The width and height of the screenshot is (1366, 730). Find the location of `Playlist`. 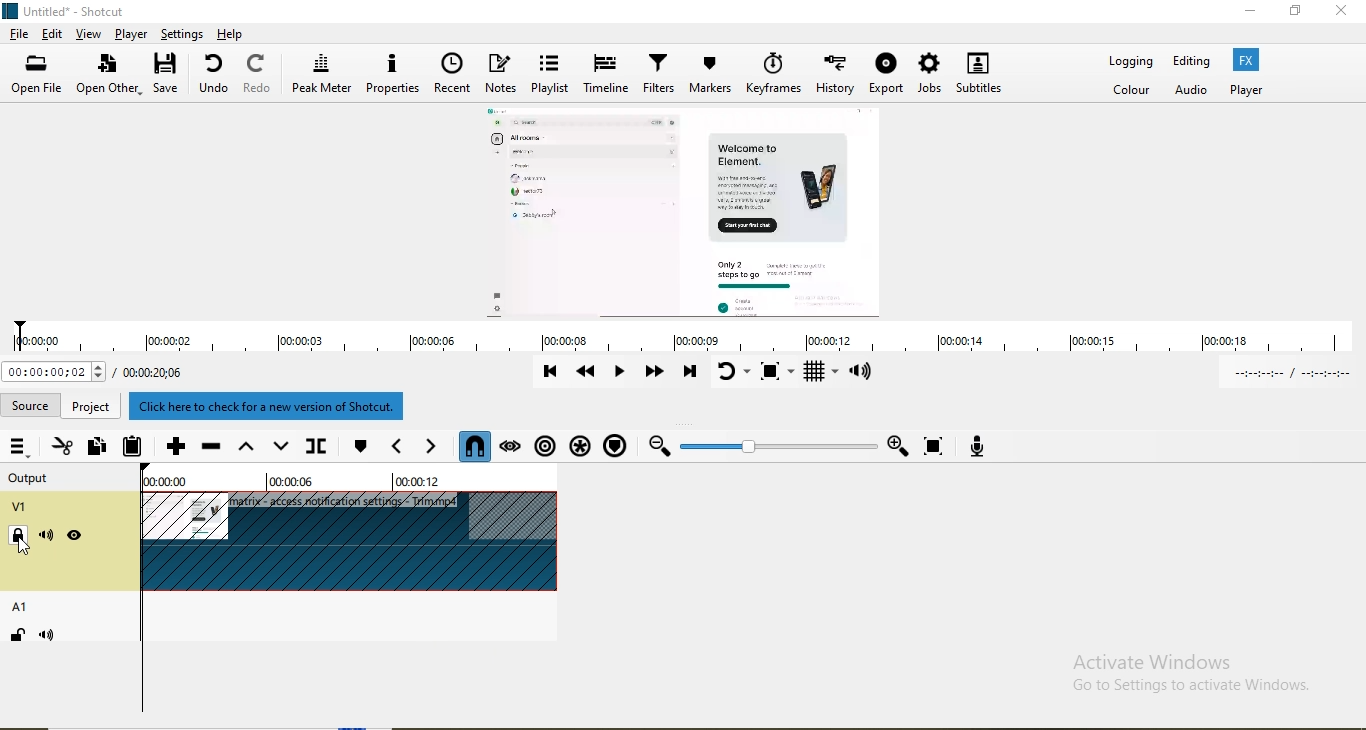

Playlist is located at coordinates (550, 77).